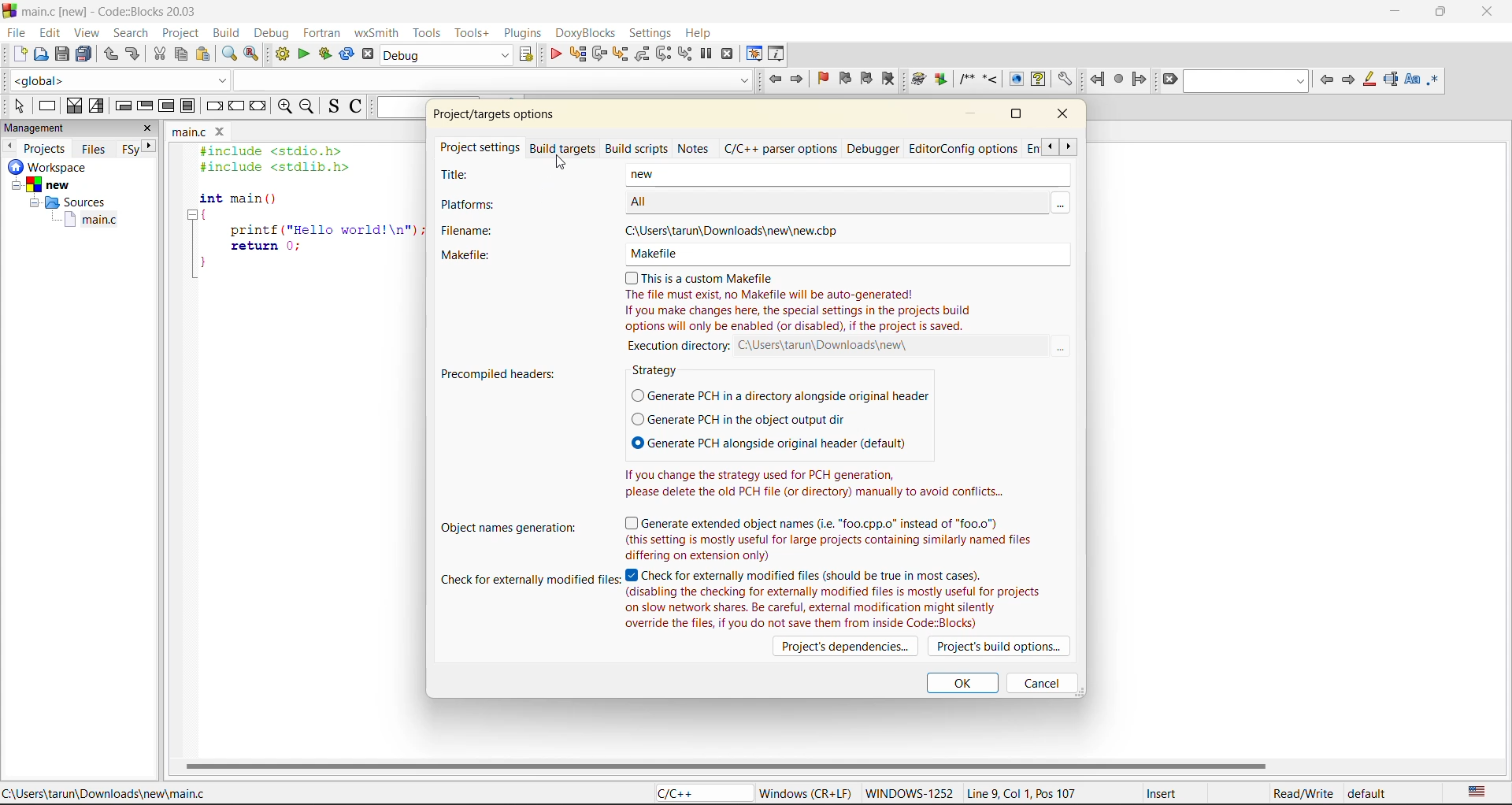 This screenshot has width=1512, height=805. Describe the element at coordinates (357, 107) in the screenshot. I see `toggle comments` at that location.